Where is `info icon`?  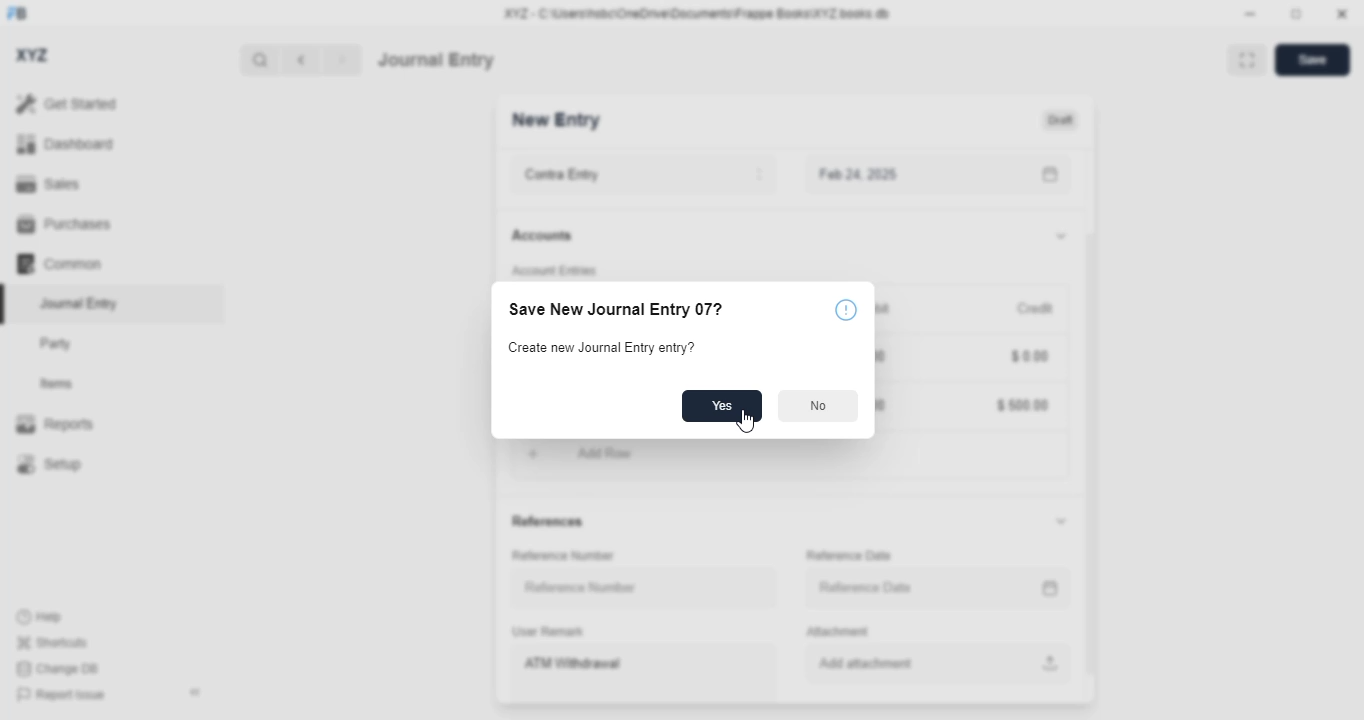
info icon is located at coordinates (846, 310).